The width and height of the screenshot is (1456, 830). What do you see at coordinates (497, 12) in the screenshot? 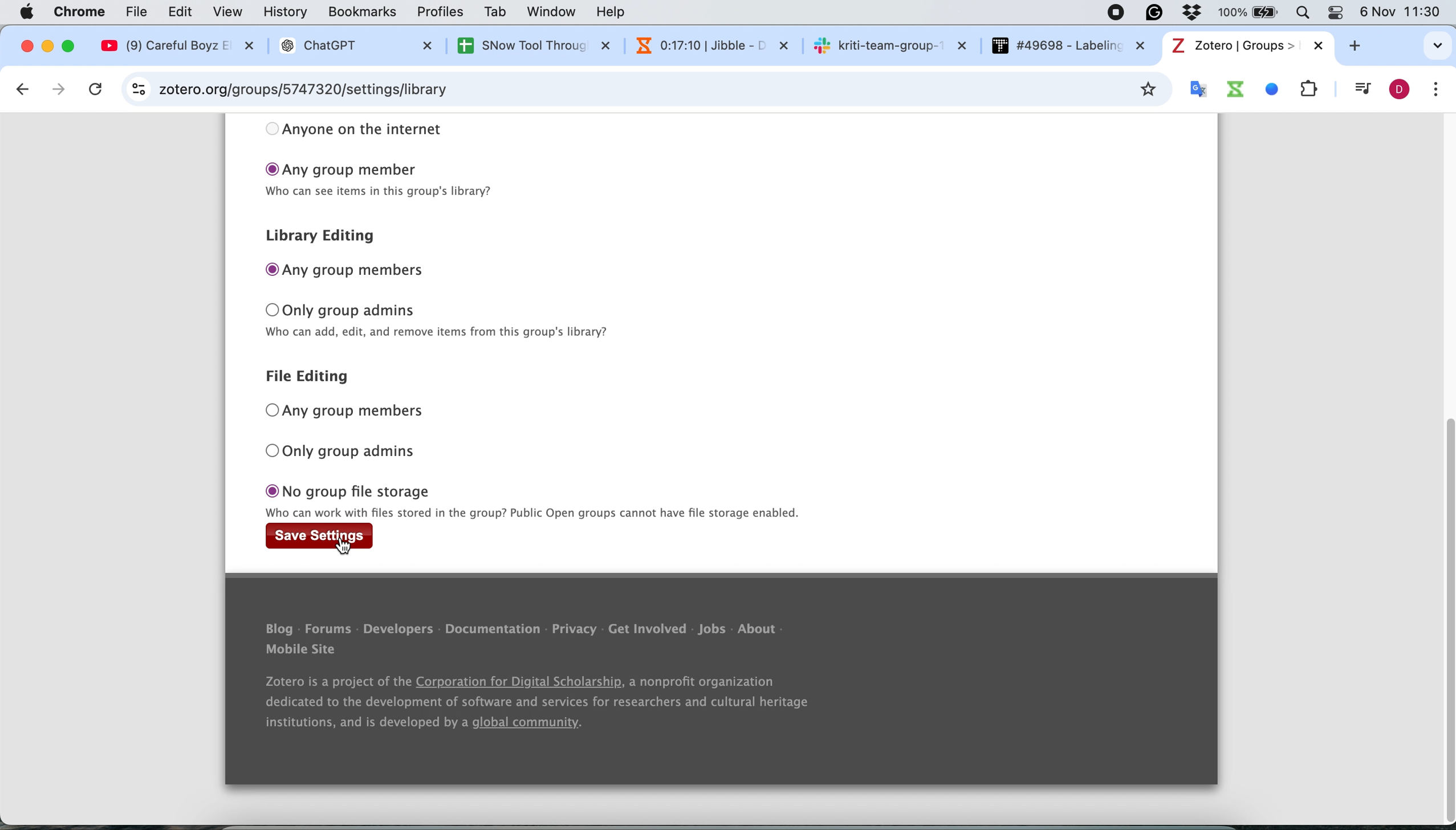
I see `tab` at bounding box center [497, 12].